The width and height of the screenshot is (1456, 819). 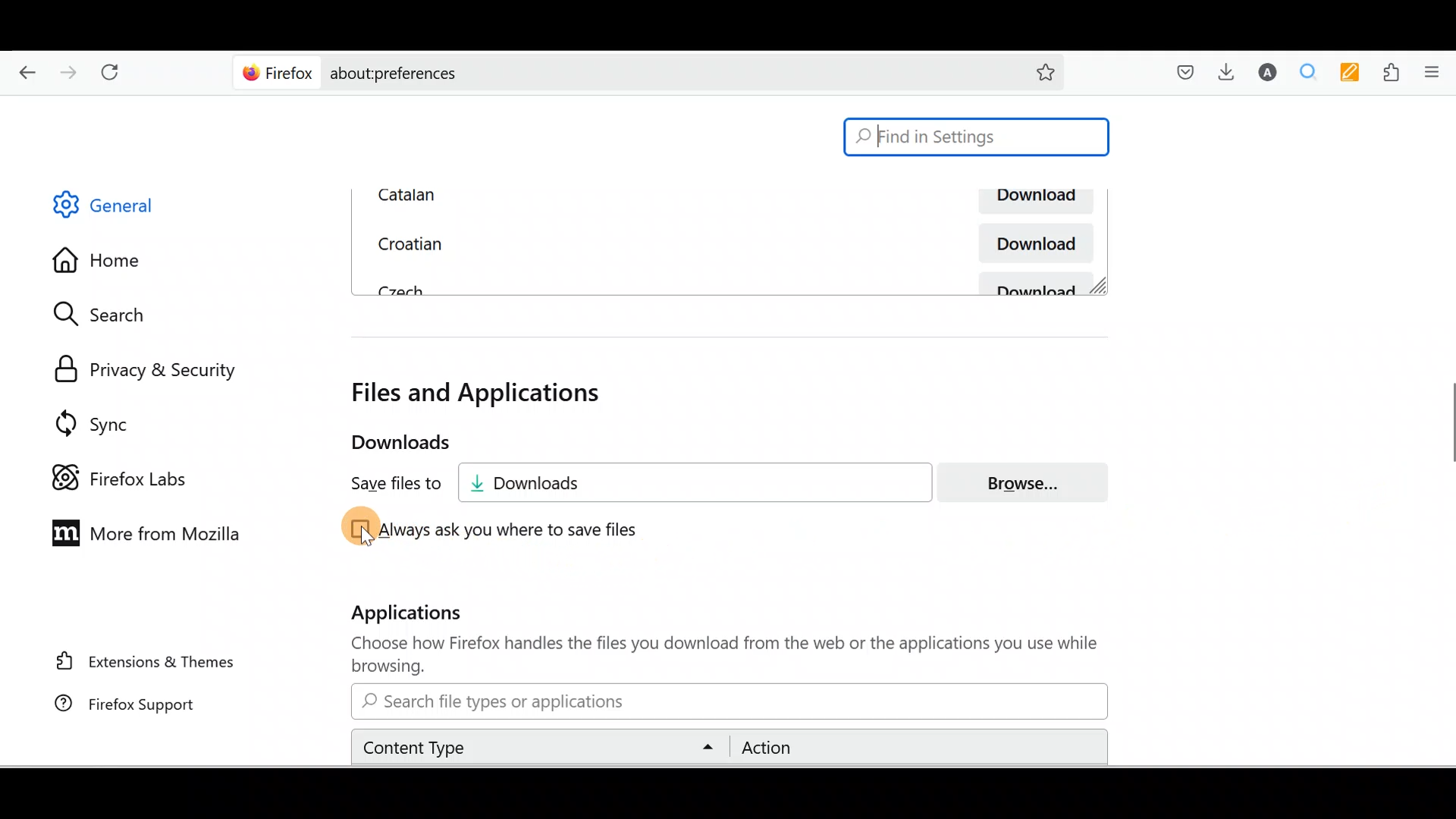 I want to click on scroll down, so click(x=1447, y=756).